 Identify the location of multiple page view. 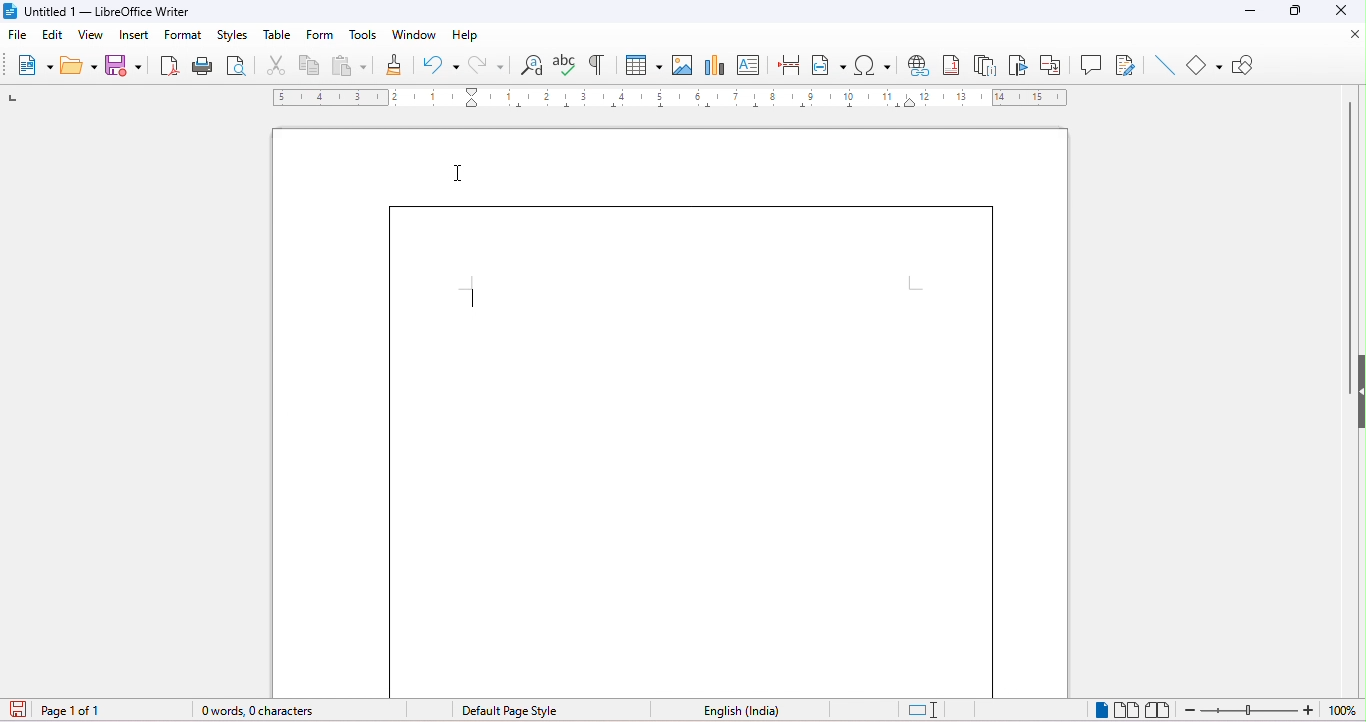
(1126, 707).